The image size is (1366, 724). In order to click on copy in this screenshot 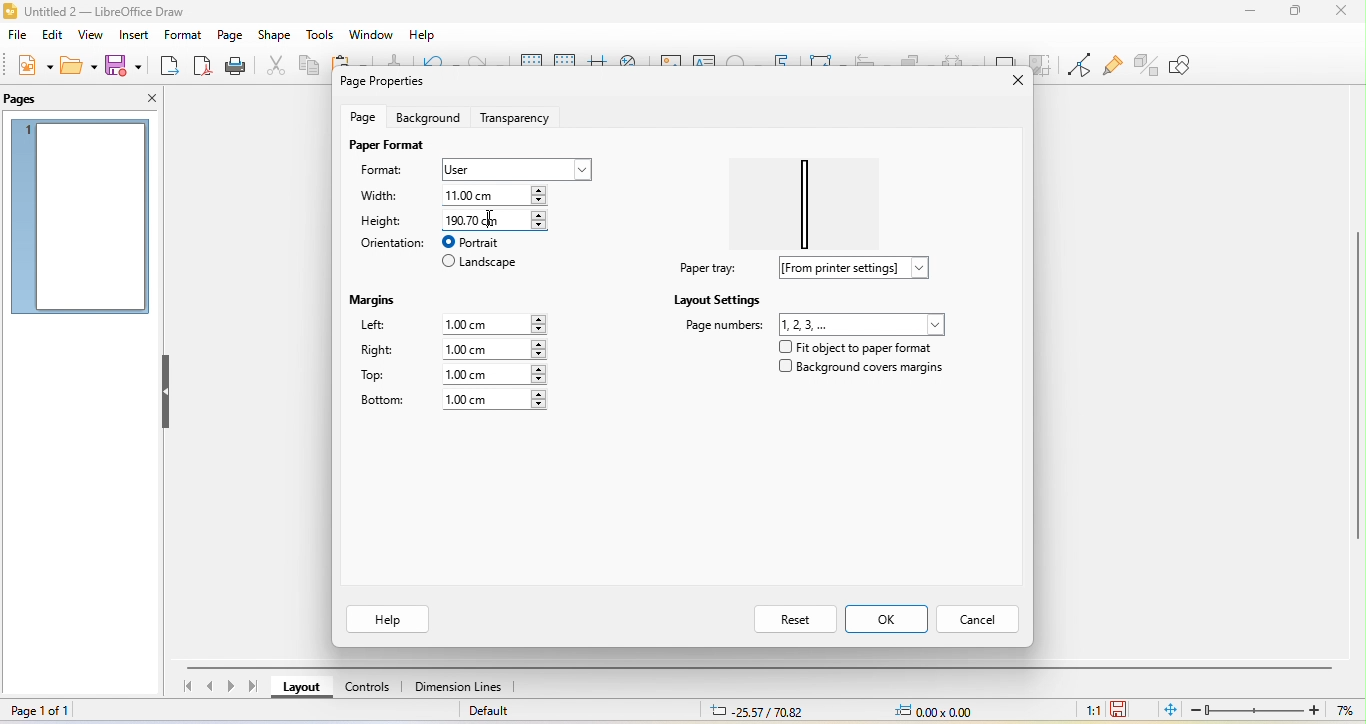, I will do `click(308, 68)`.